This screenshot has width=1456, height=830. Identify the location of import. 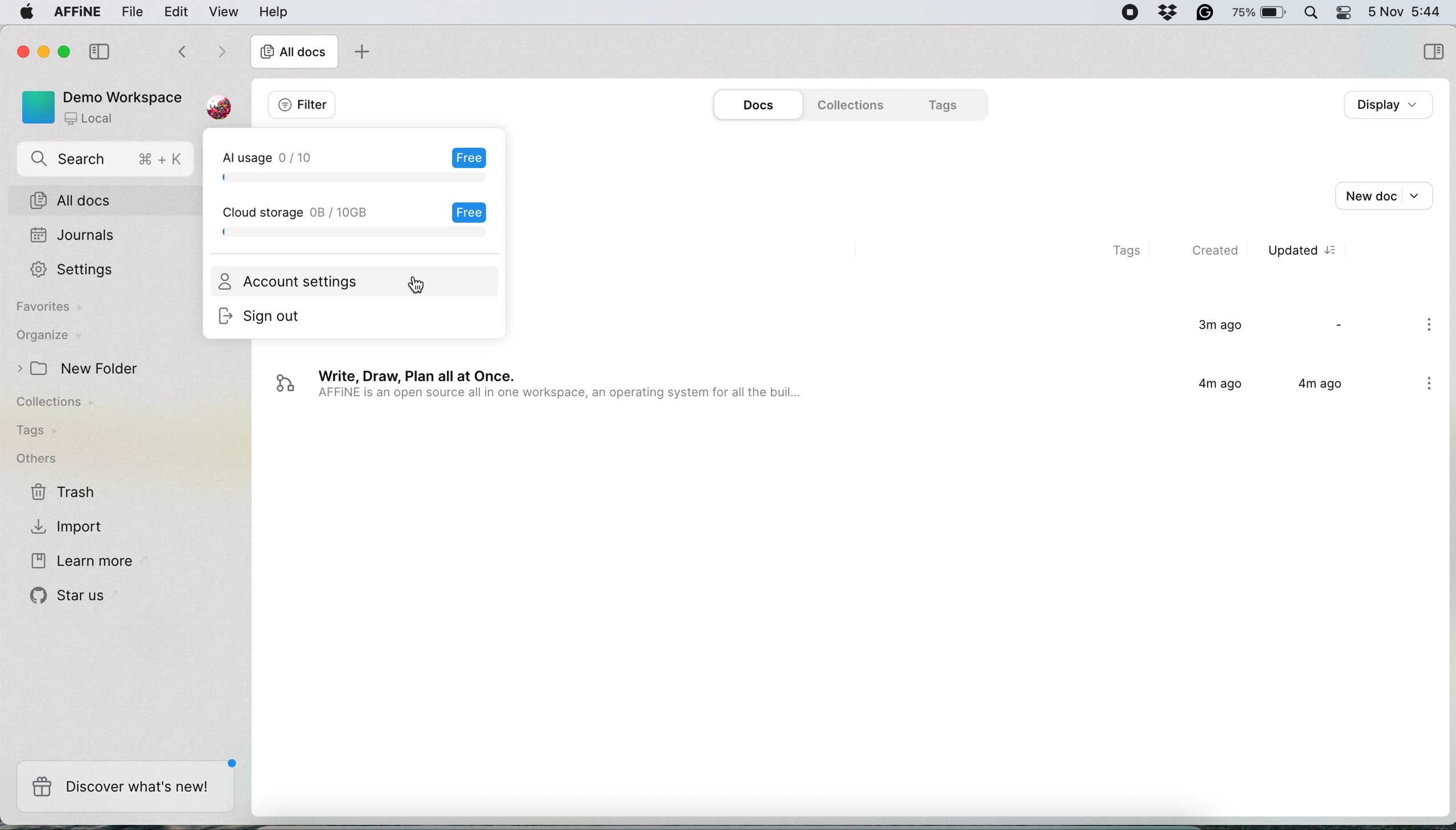
(70, 525).